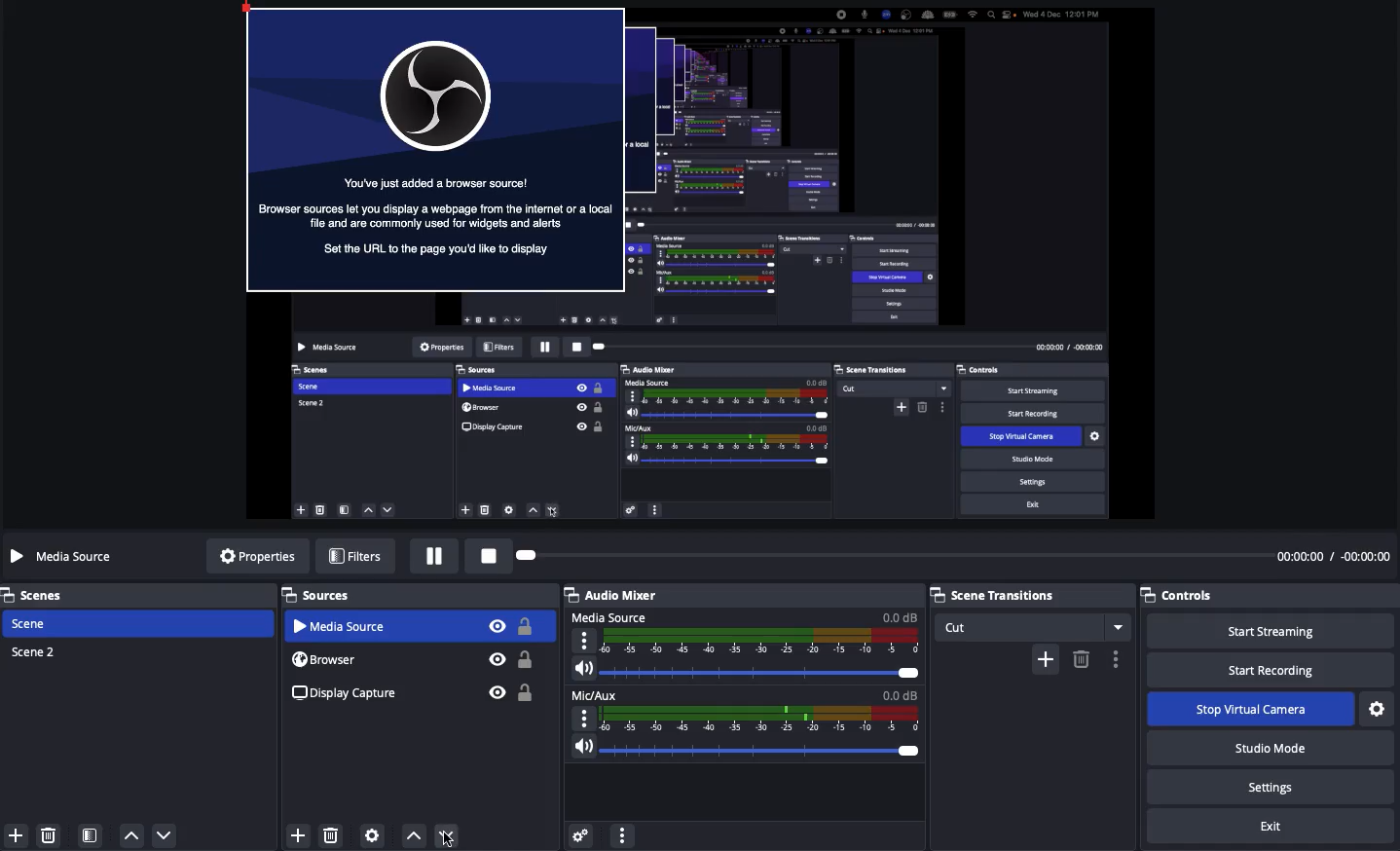 The height and width of the screenshot is (851, 1400). What do you see at coordinates (373, 834) in the screenshot?
I see `Sources preferences` at bounding box center [373, 834].